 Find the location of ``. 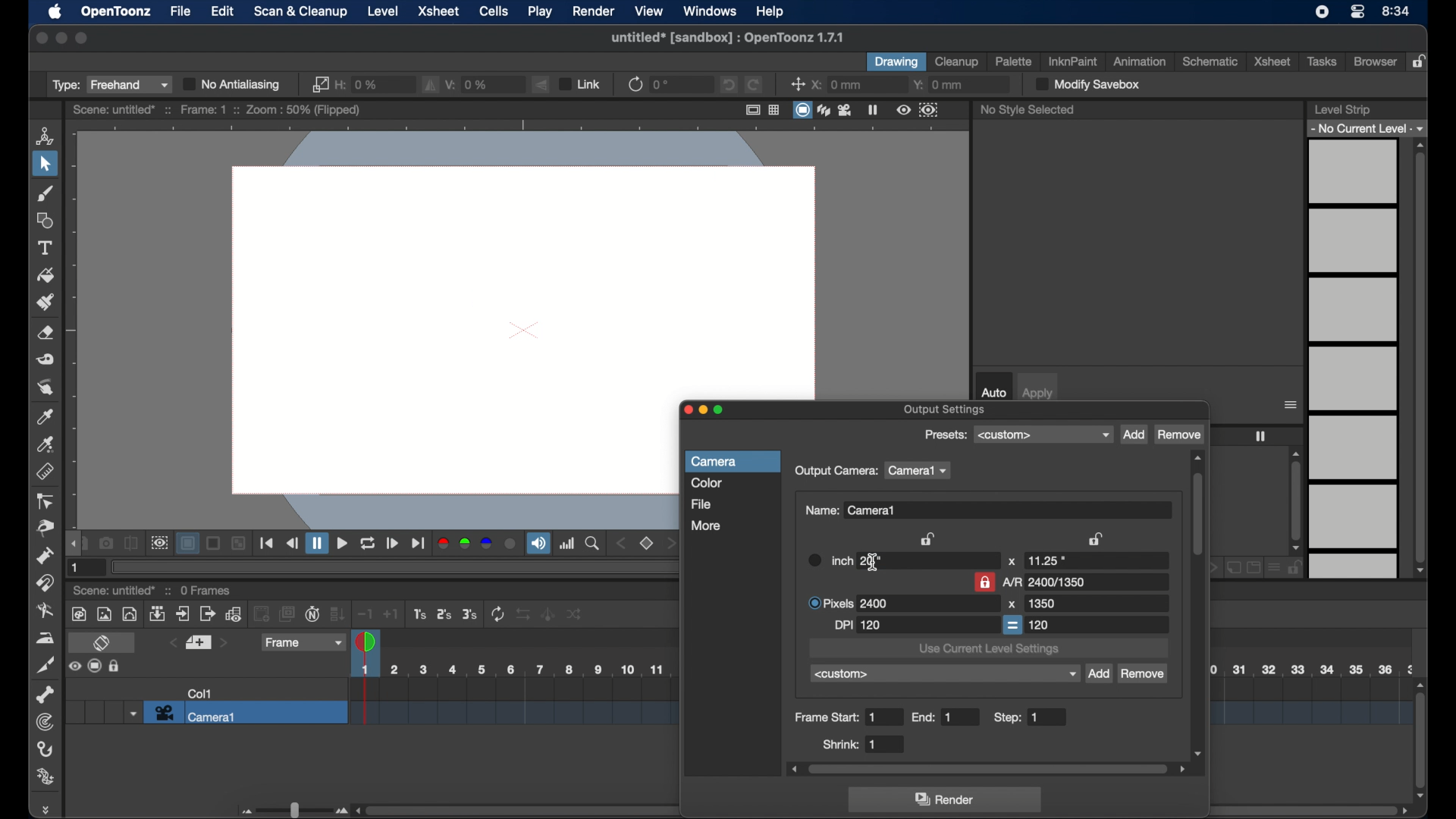

 is located at coordinates (344, 545).